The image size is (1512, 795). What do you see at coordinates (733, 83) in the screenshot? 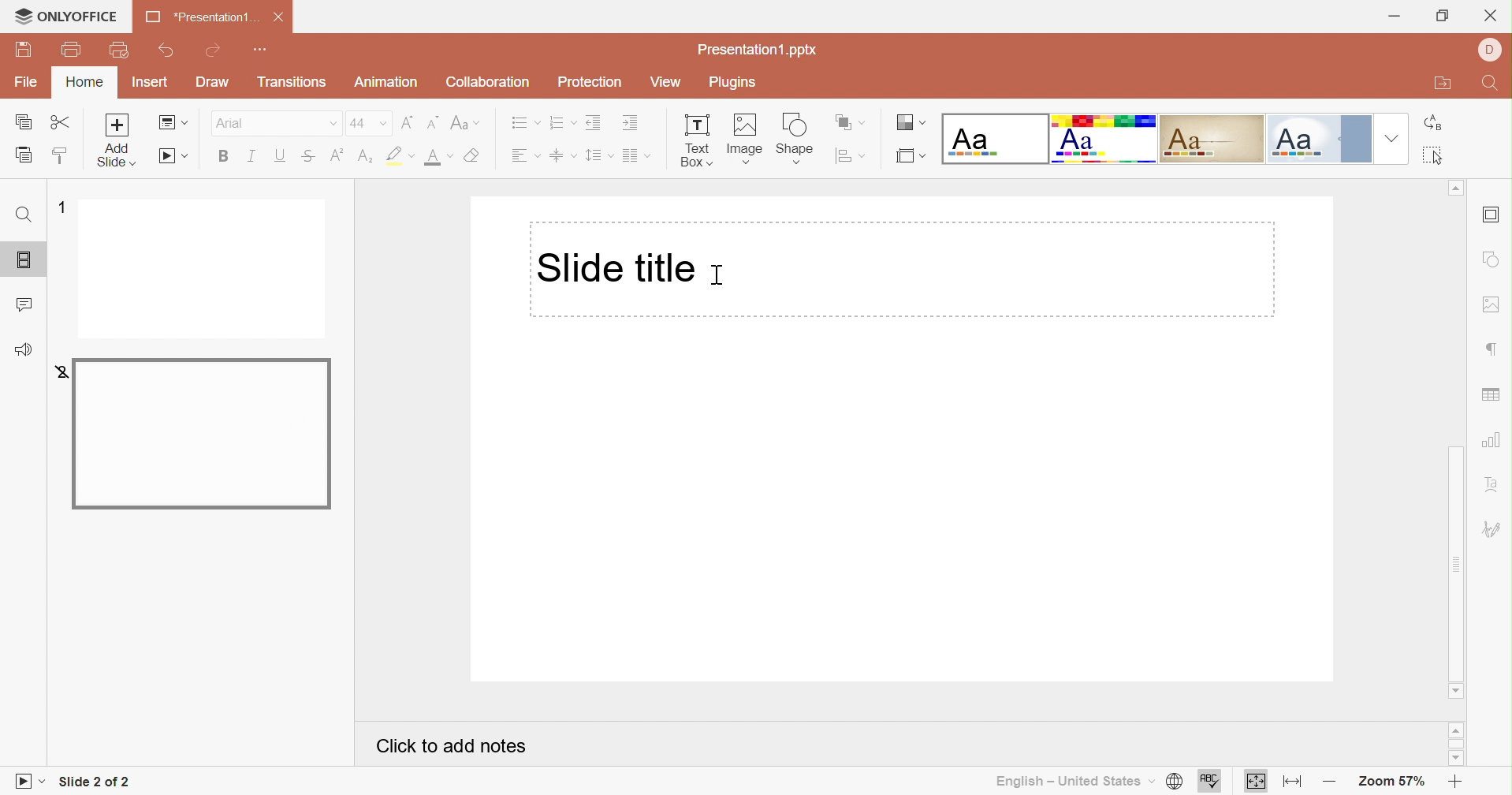
I see `Plugins` at bounding box center [733, 83].